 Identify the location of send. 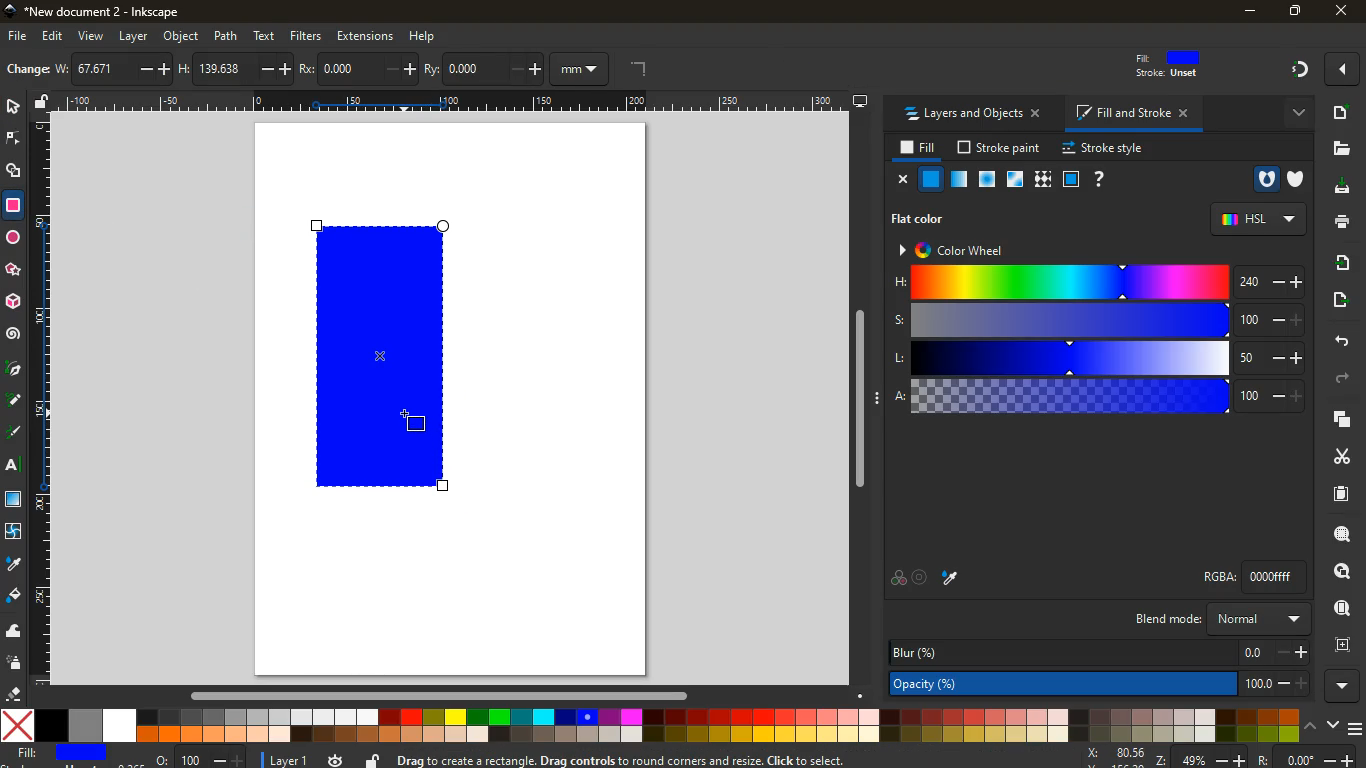
(1336, 301).